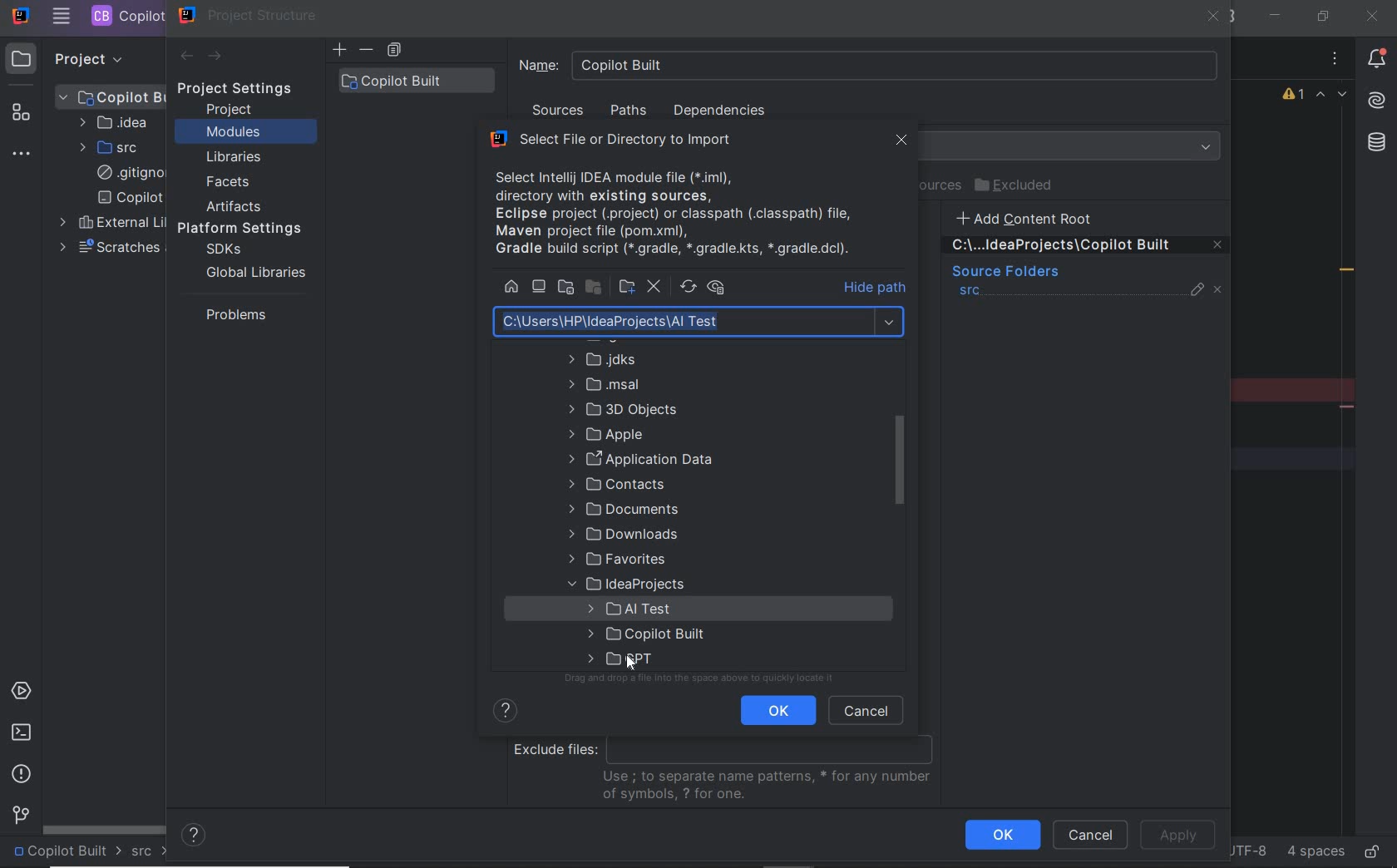  Describe the element at coordinates (565, 289) in the screenshot. I see `project directory` at that location.